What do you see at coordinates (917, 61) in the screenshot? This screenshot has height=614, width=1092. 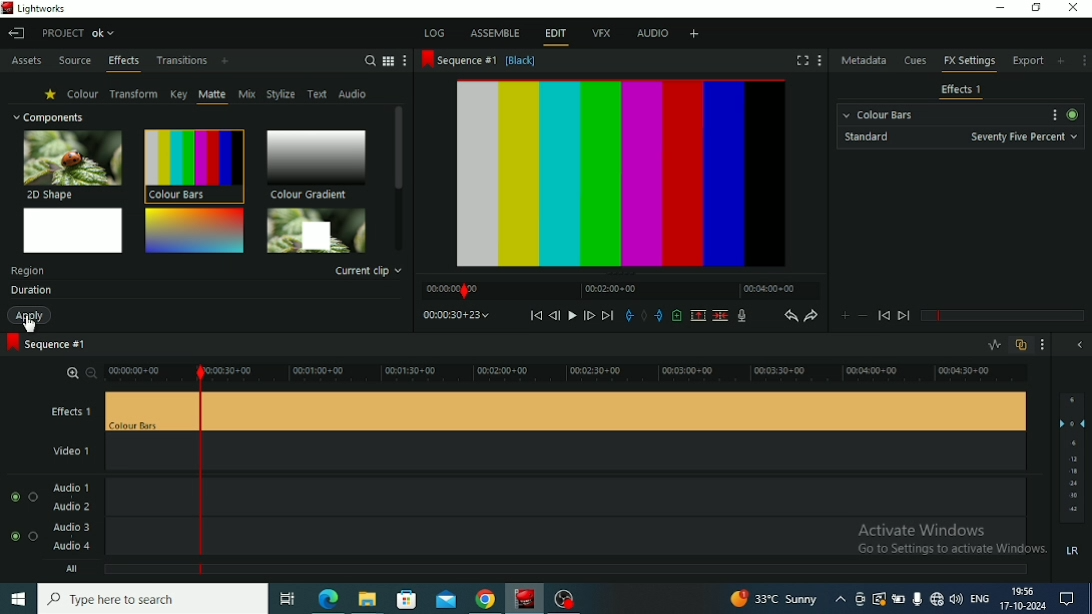 I see `Cues` at bounding box center [917, 61].